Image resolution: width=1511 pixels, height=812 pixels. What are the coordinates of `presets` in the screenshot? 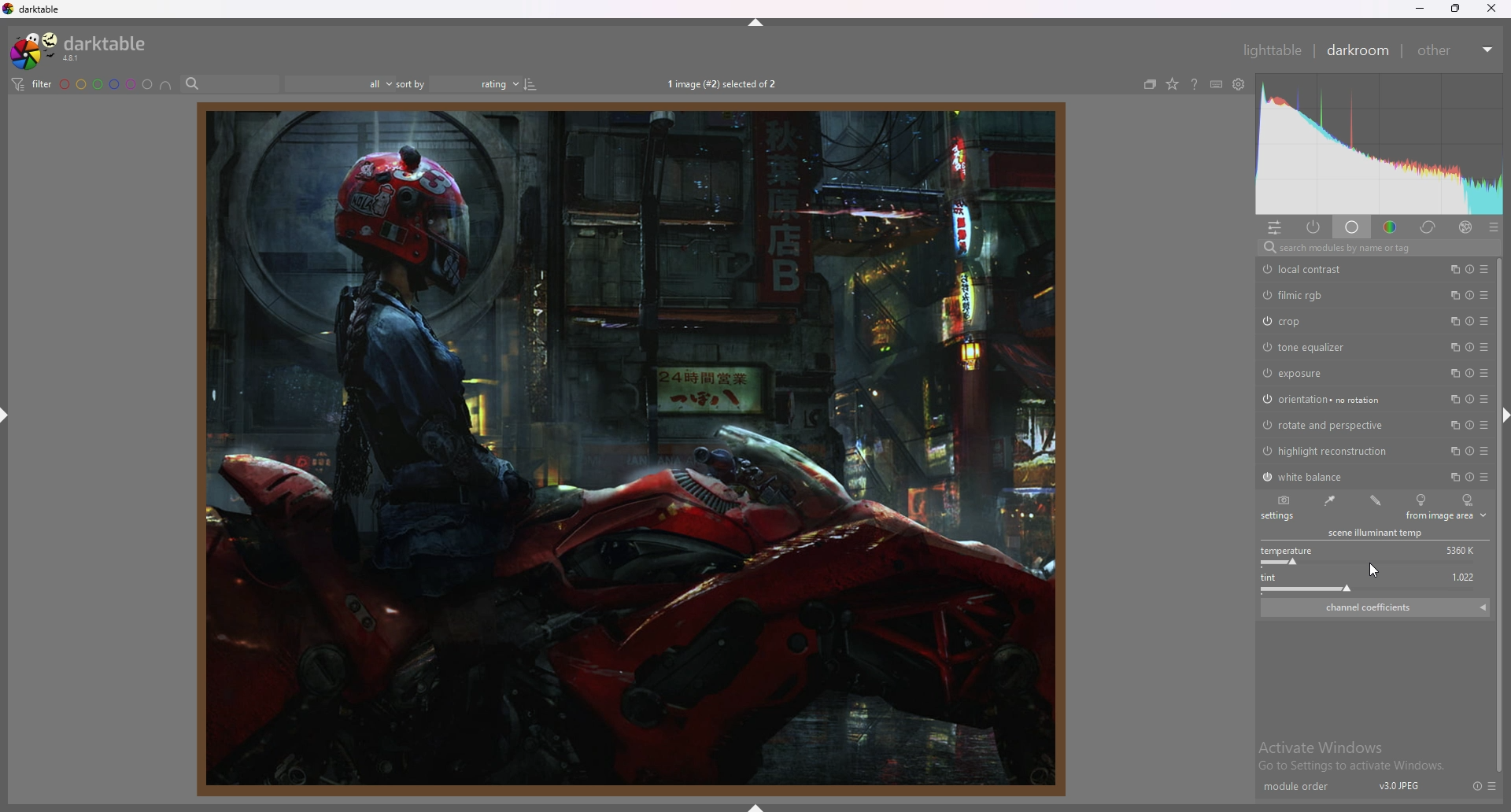 It's located at (1484, 348).